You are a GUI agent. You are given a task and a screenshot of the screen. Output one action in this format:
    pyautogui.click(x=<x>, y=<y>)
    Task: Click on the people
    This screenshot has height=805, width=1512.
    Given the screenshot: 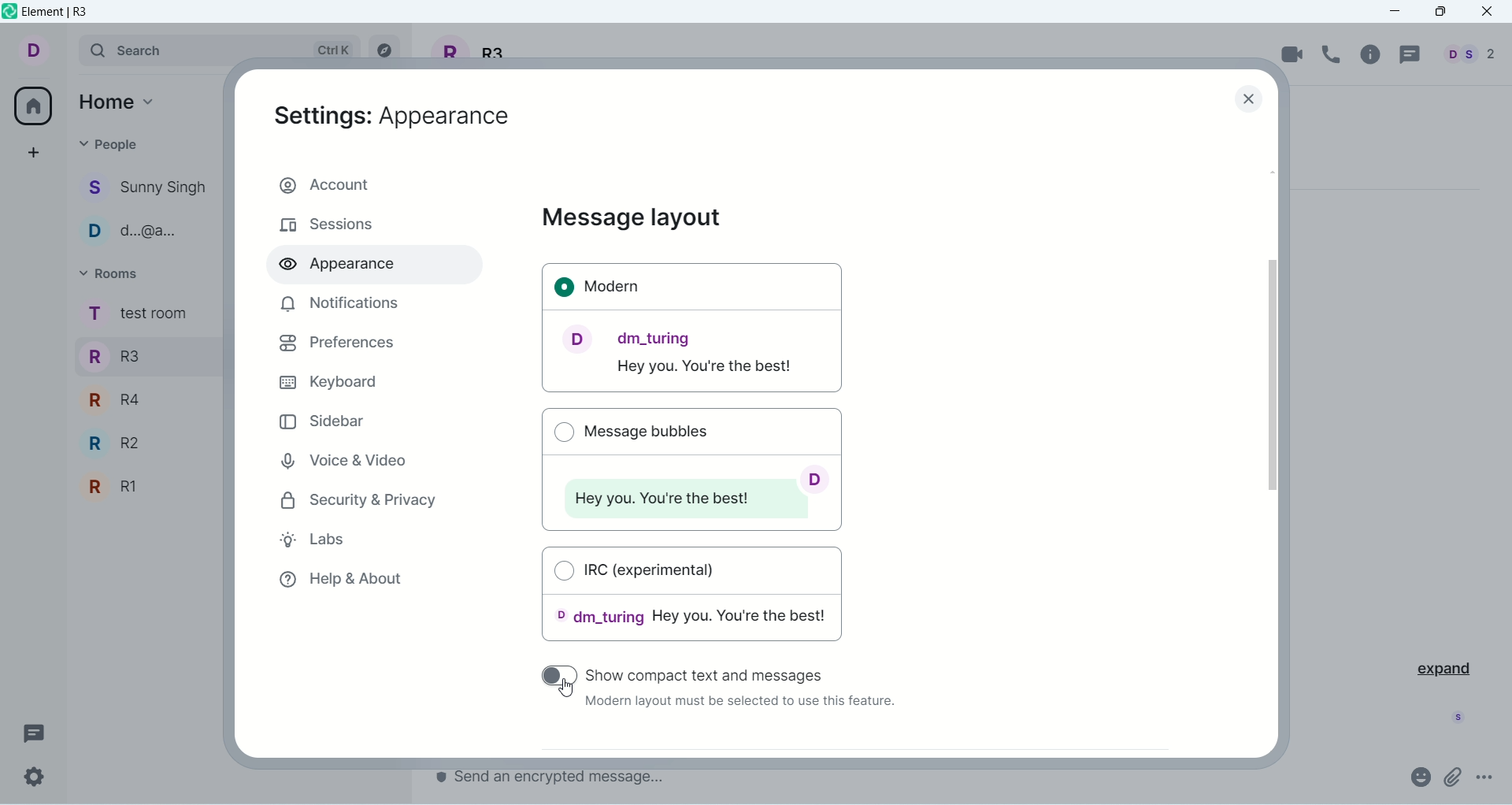 What is the action you would take?
    pyautogui.click(x=146, y=232)
    